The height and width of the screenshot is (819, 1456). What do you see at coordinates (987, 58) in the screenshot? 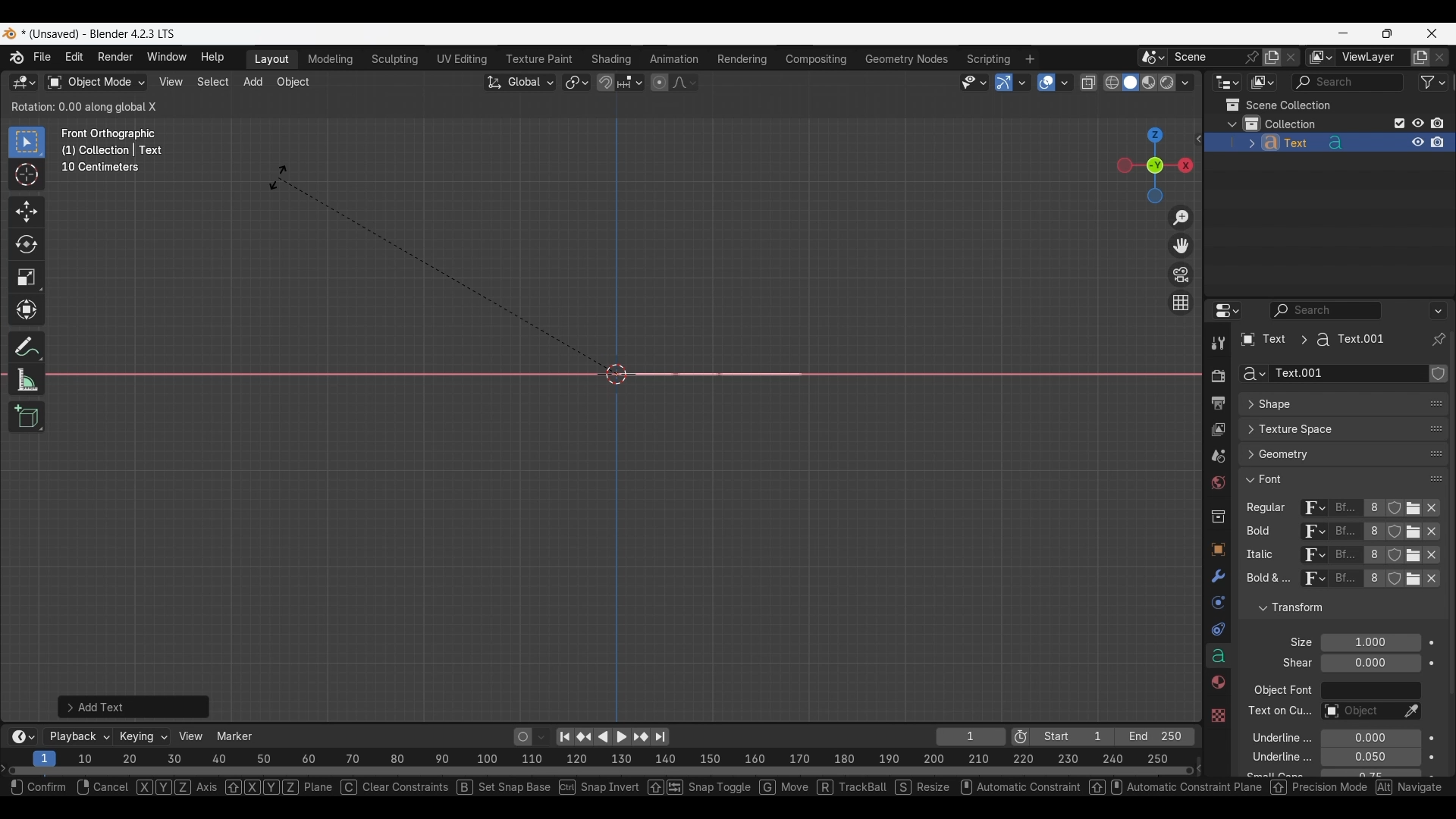
I see `Scripting workspace` at bounding box center [987, 58].